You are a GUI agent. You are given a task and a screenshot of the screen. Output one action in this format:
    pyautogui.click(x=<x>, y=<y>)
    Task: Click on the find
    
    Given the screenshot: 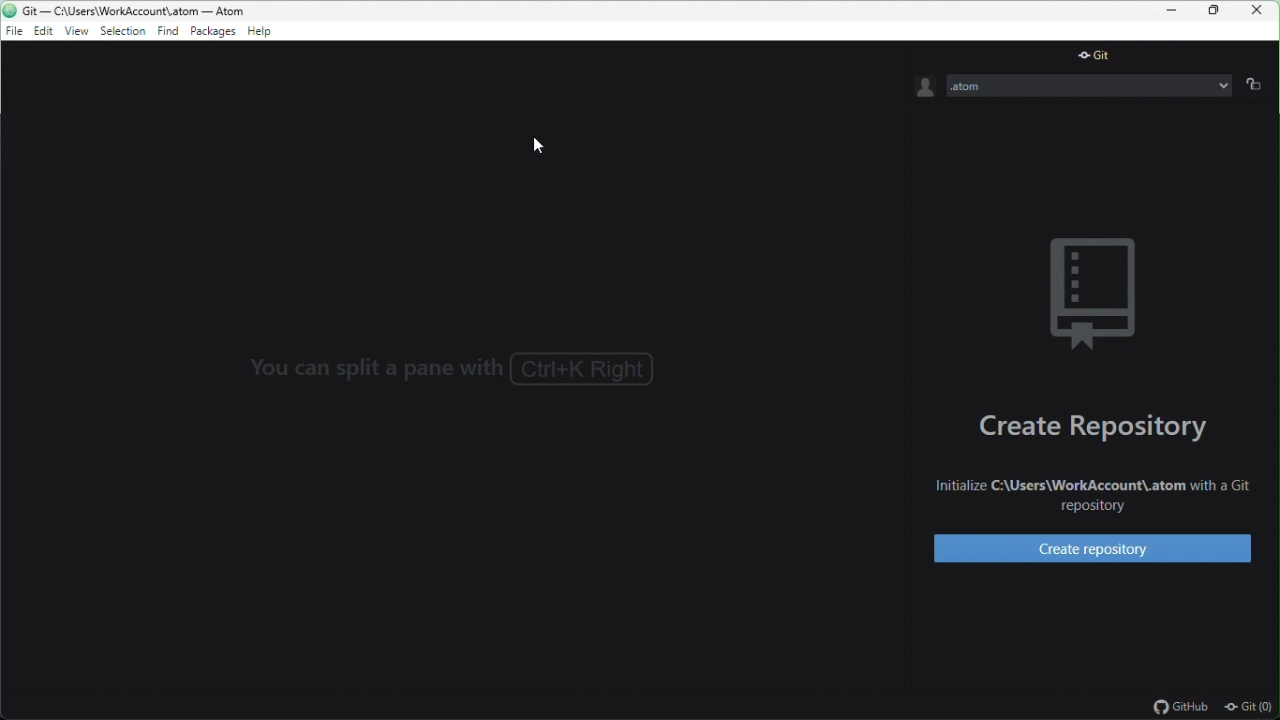 What is the action you would take?
    pyautogui.click(x=172, y=33)
    